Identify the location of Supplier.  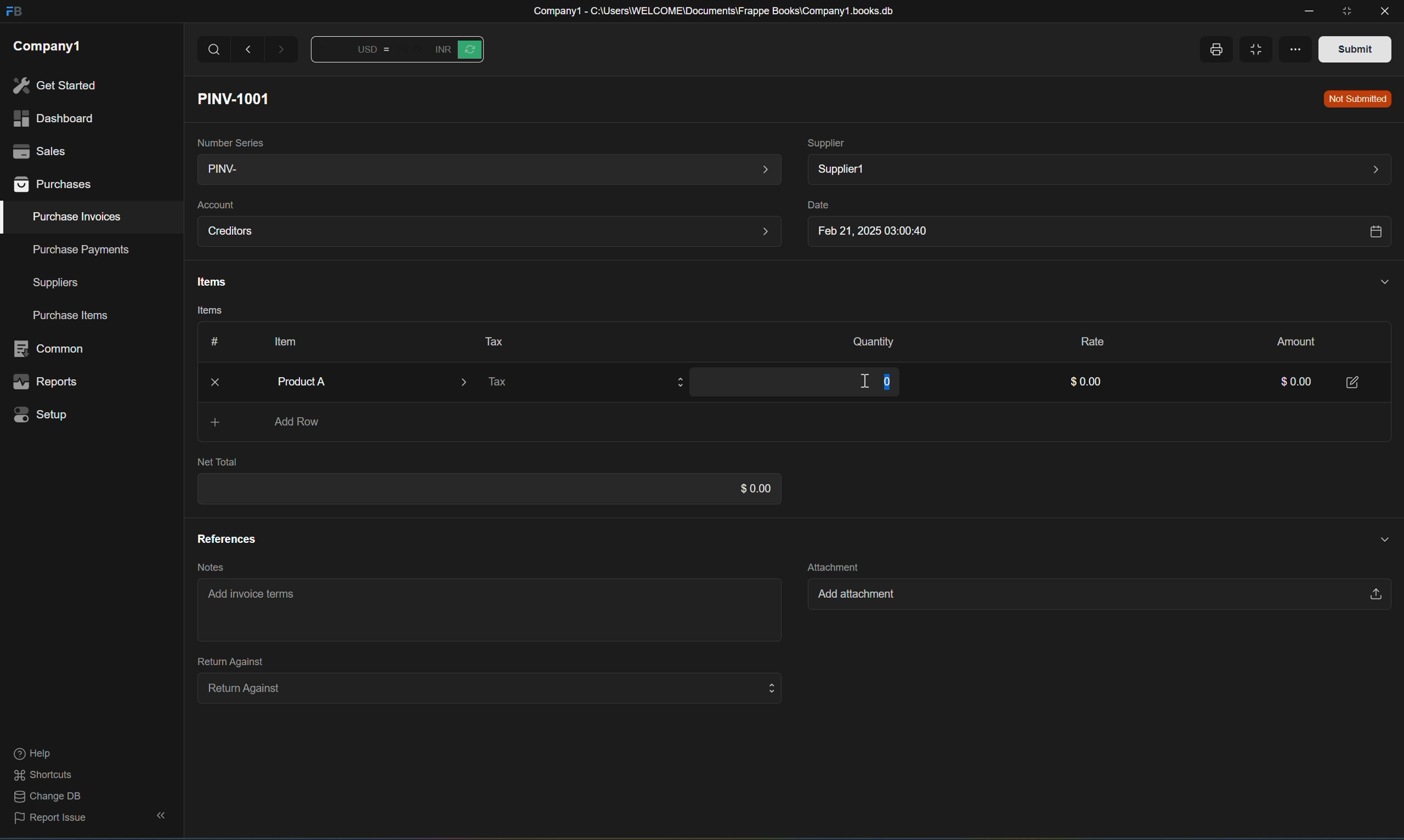
(827, 142).